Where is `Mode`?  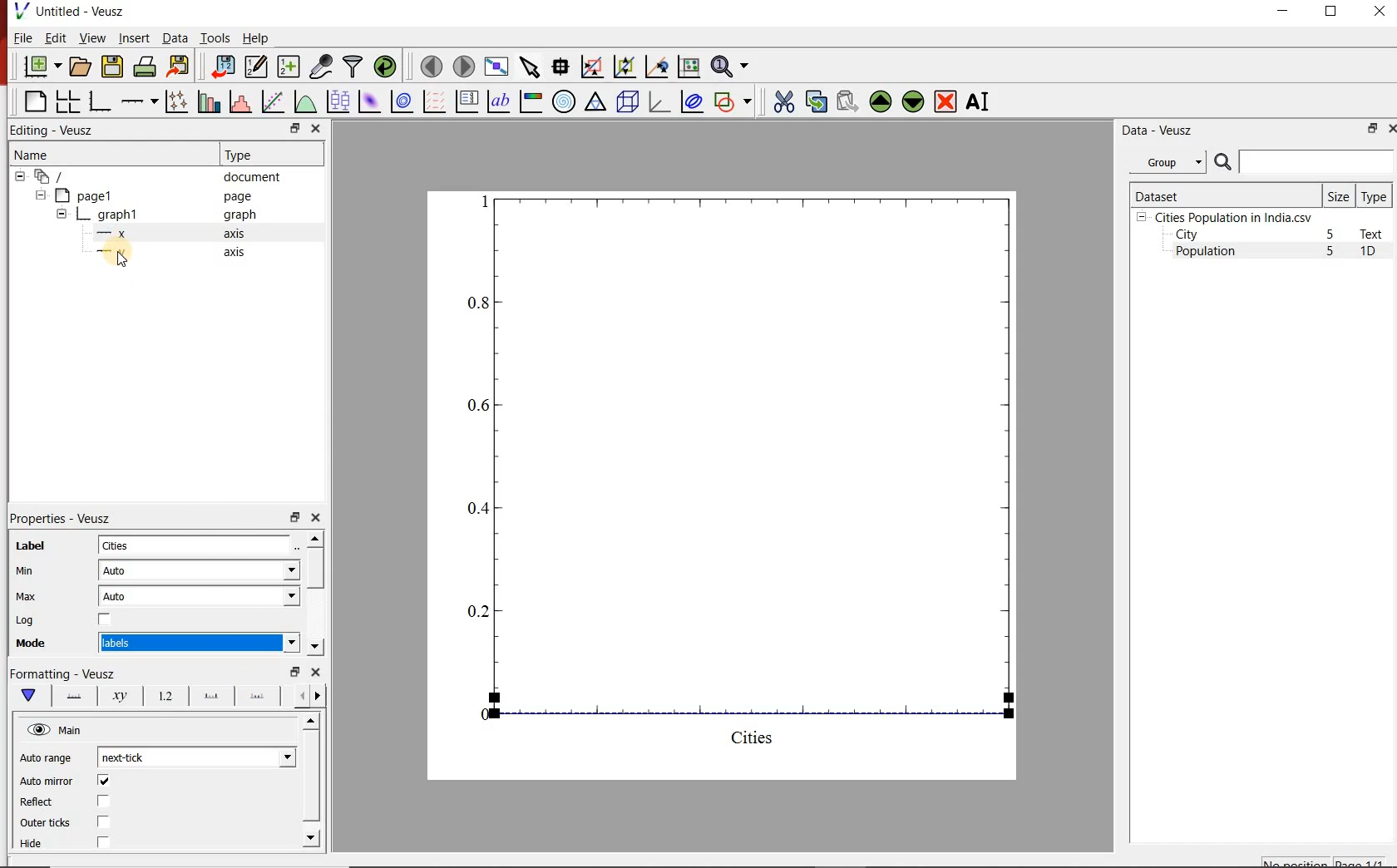
Mode is located at coordinates (33, 644).